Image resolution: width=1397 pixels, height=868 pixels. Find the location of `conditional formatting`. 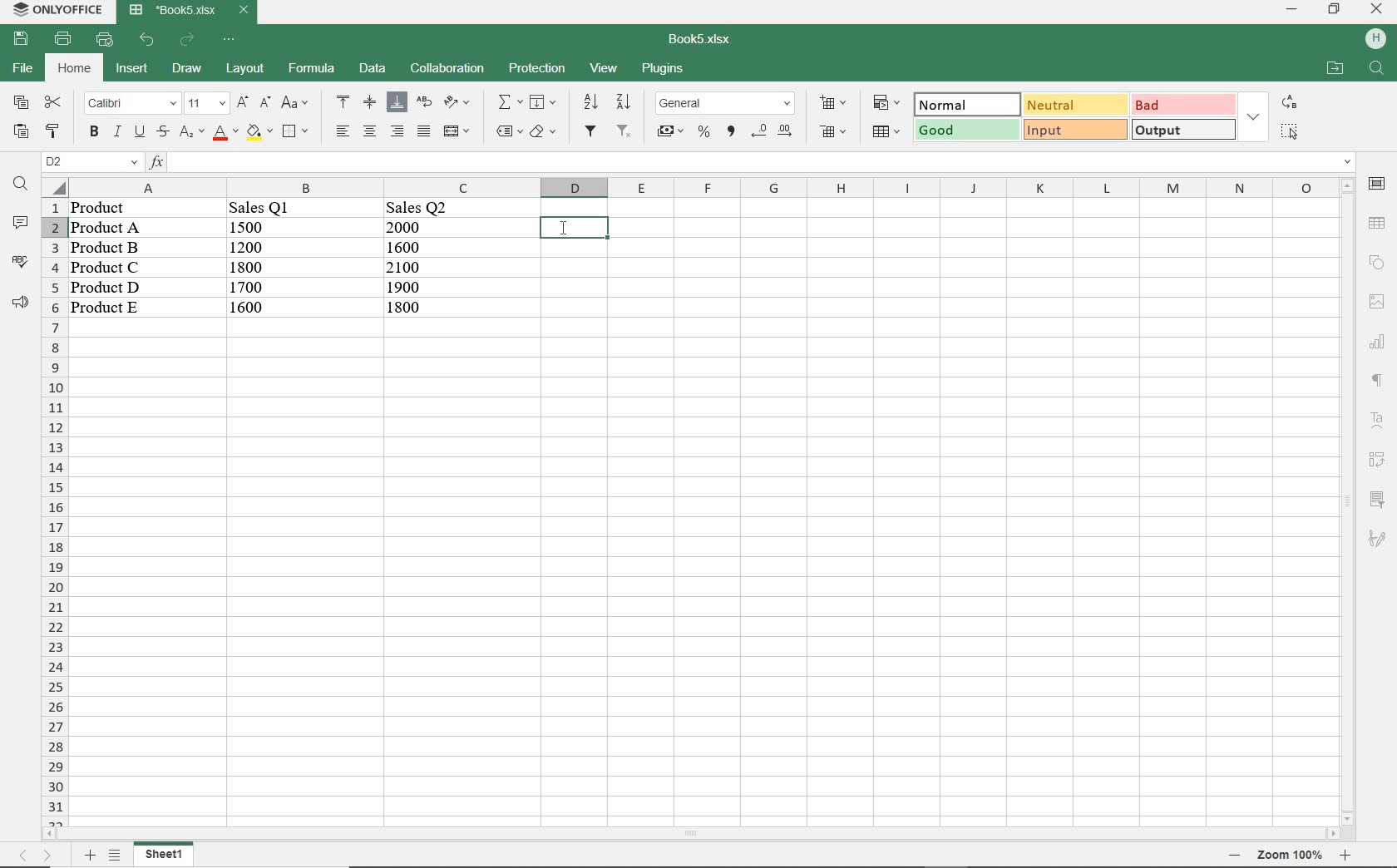

conditional formatting is located at coordinates (887, 104).